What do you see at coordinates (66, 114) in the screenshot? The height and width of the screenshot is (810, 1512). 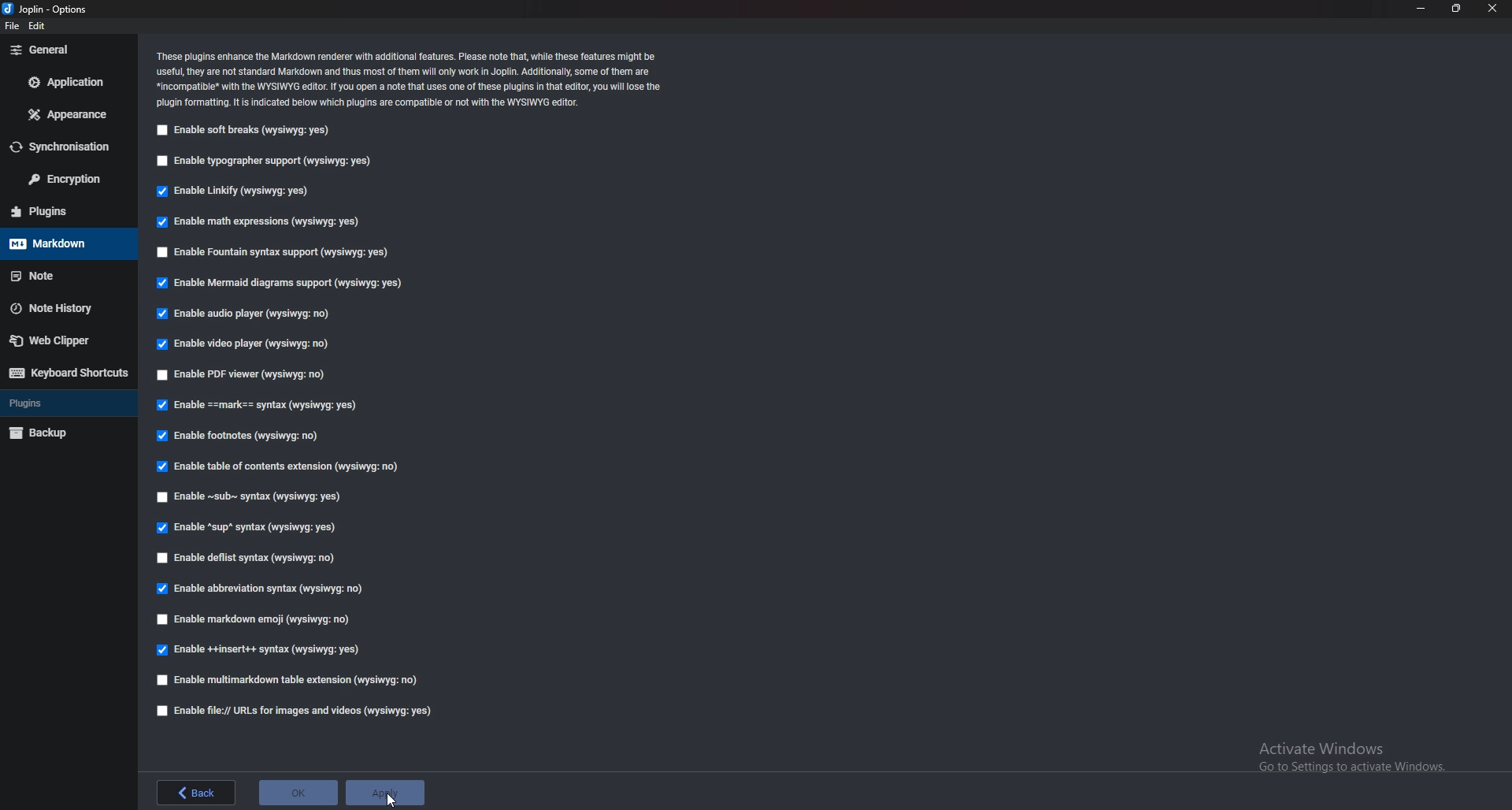 I see `Appearance` at bounding box center [66, 114].